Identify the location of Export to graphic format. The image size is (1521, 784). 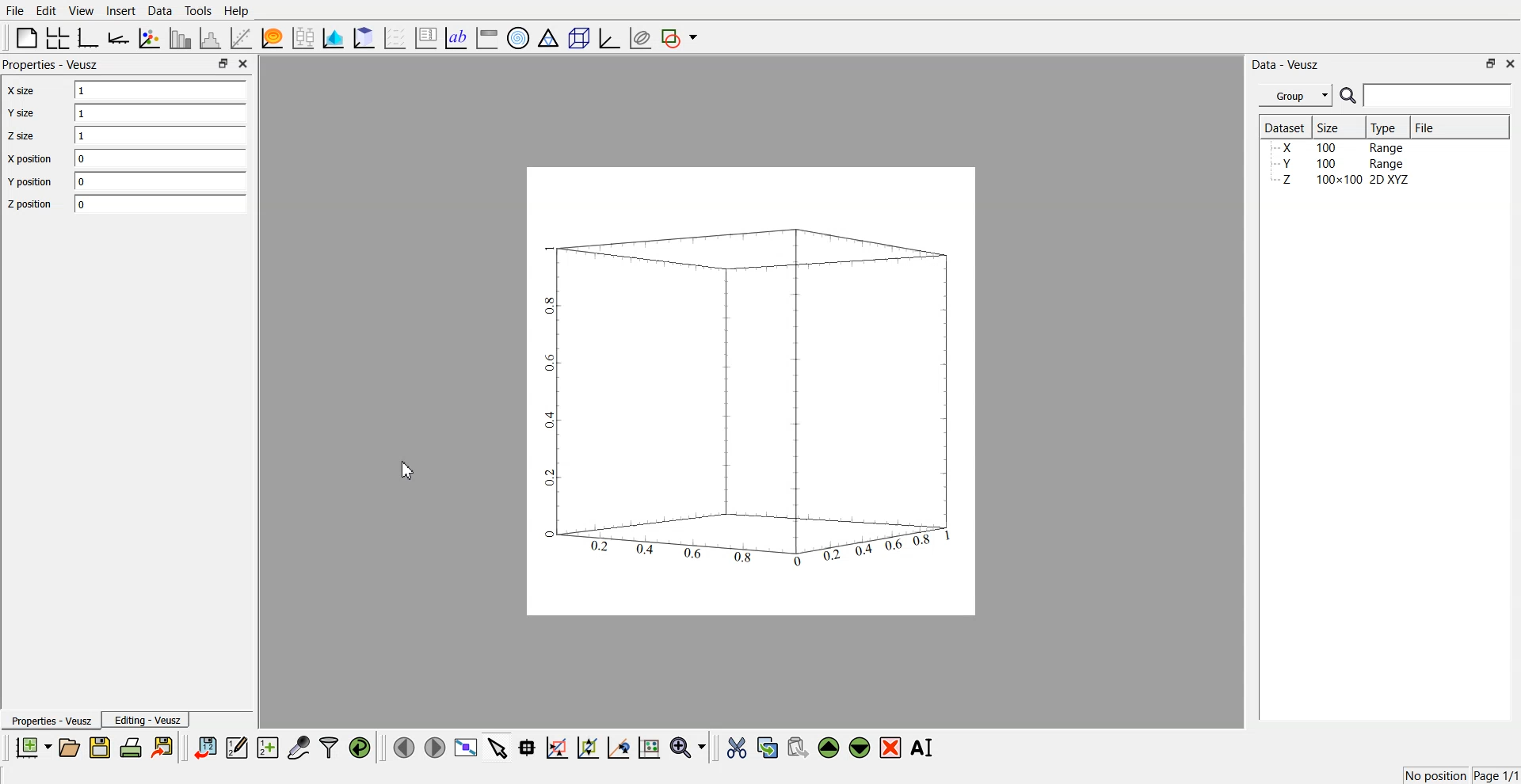
(164, 747).